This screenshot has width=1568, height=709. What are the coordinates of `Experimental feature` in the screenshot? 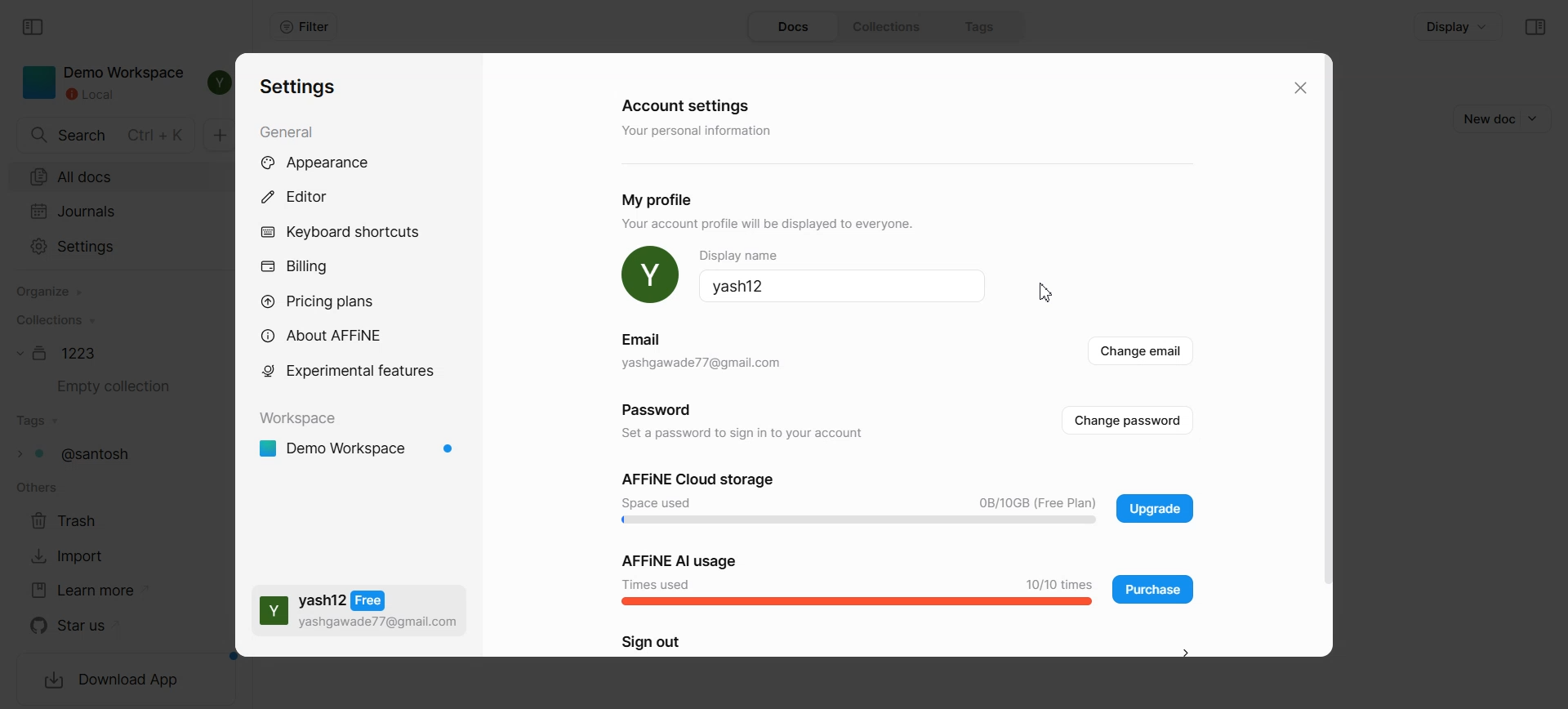 It's located at (348, 370).